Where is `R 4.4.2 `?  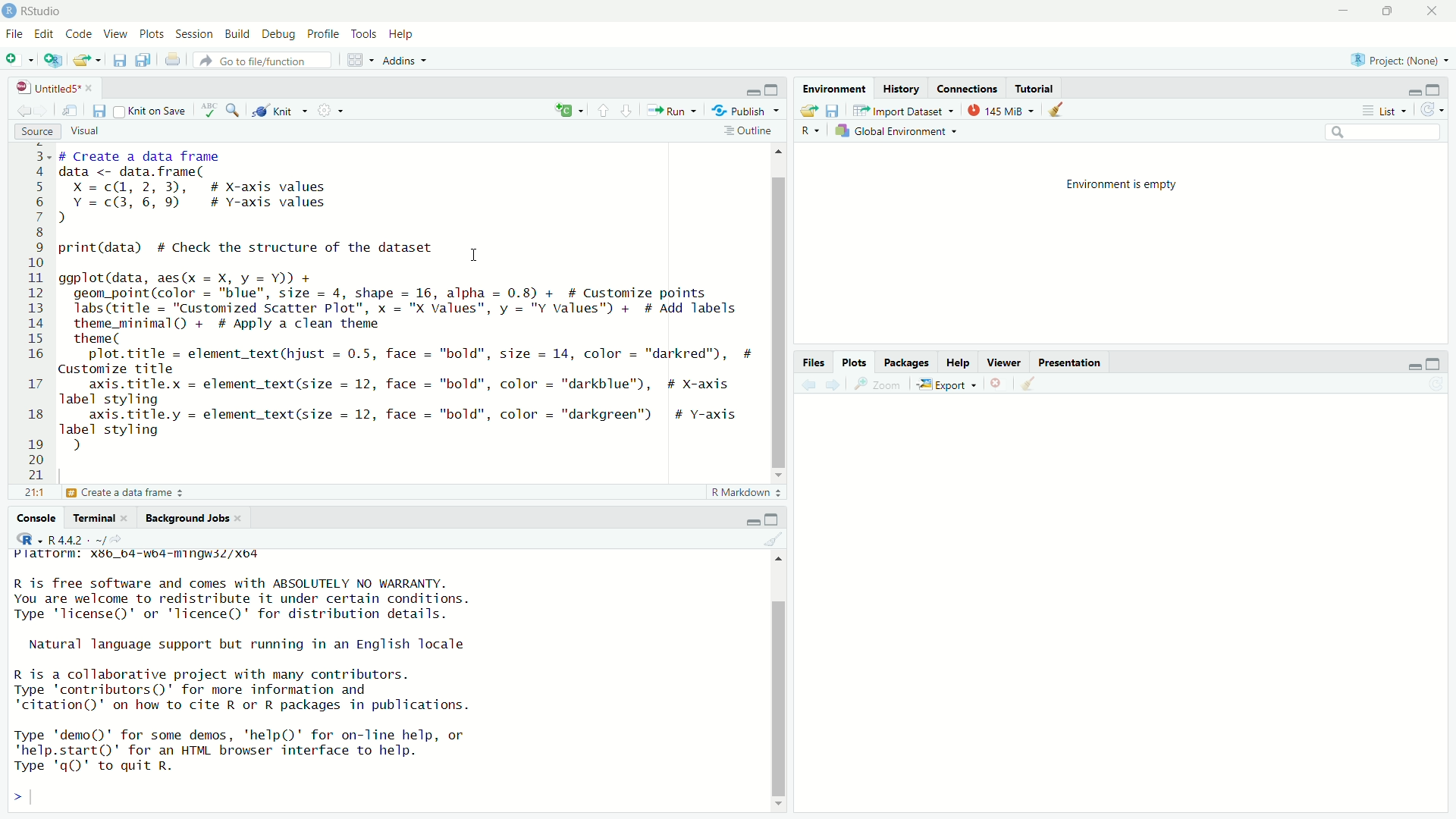 R 4.4.2  is located at coordinates (67, 537).